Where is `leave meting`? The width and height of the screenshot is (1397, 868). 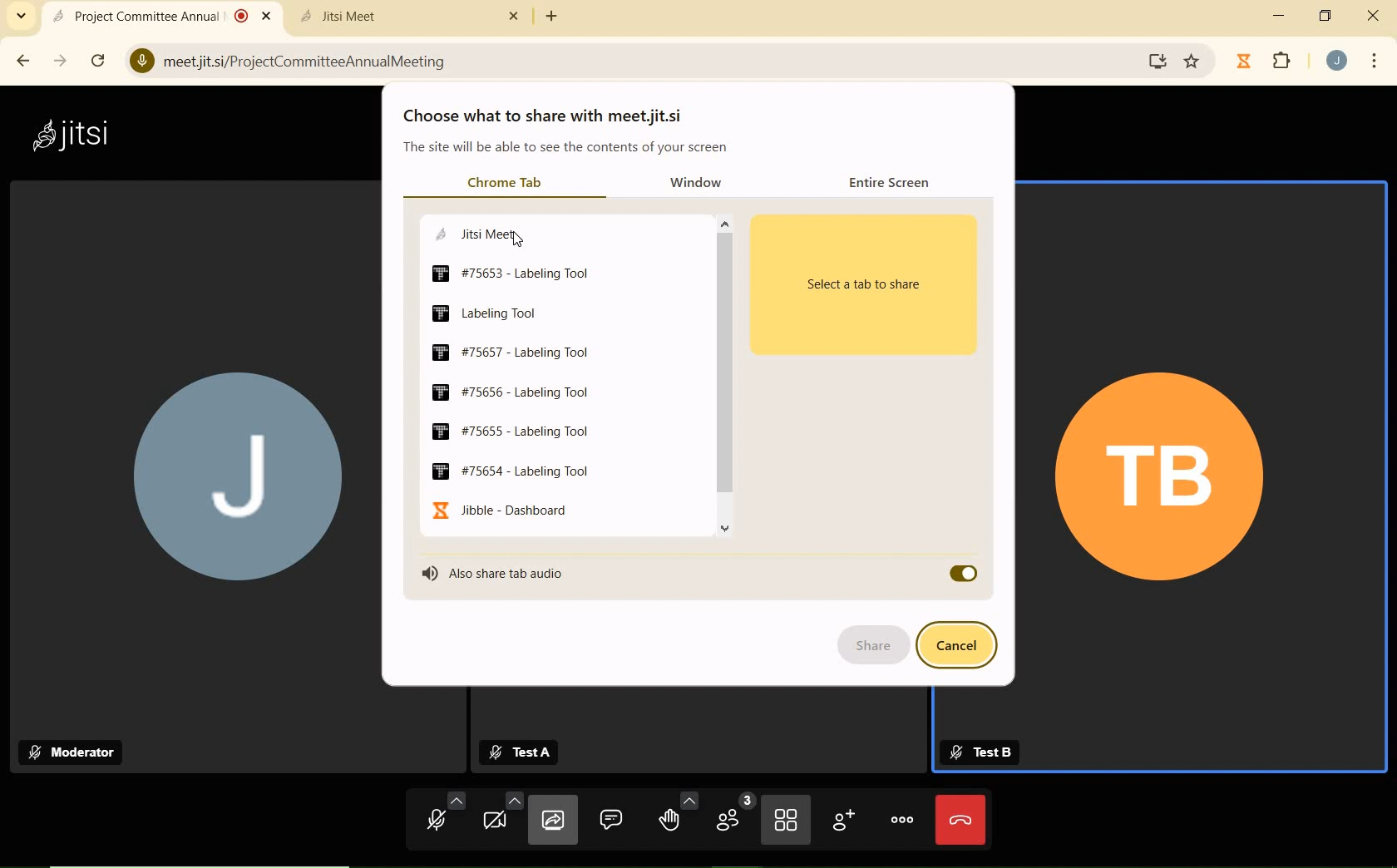
leave meting is located at coordinates (960, 820).